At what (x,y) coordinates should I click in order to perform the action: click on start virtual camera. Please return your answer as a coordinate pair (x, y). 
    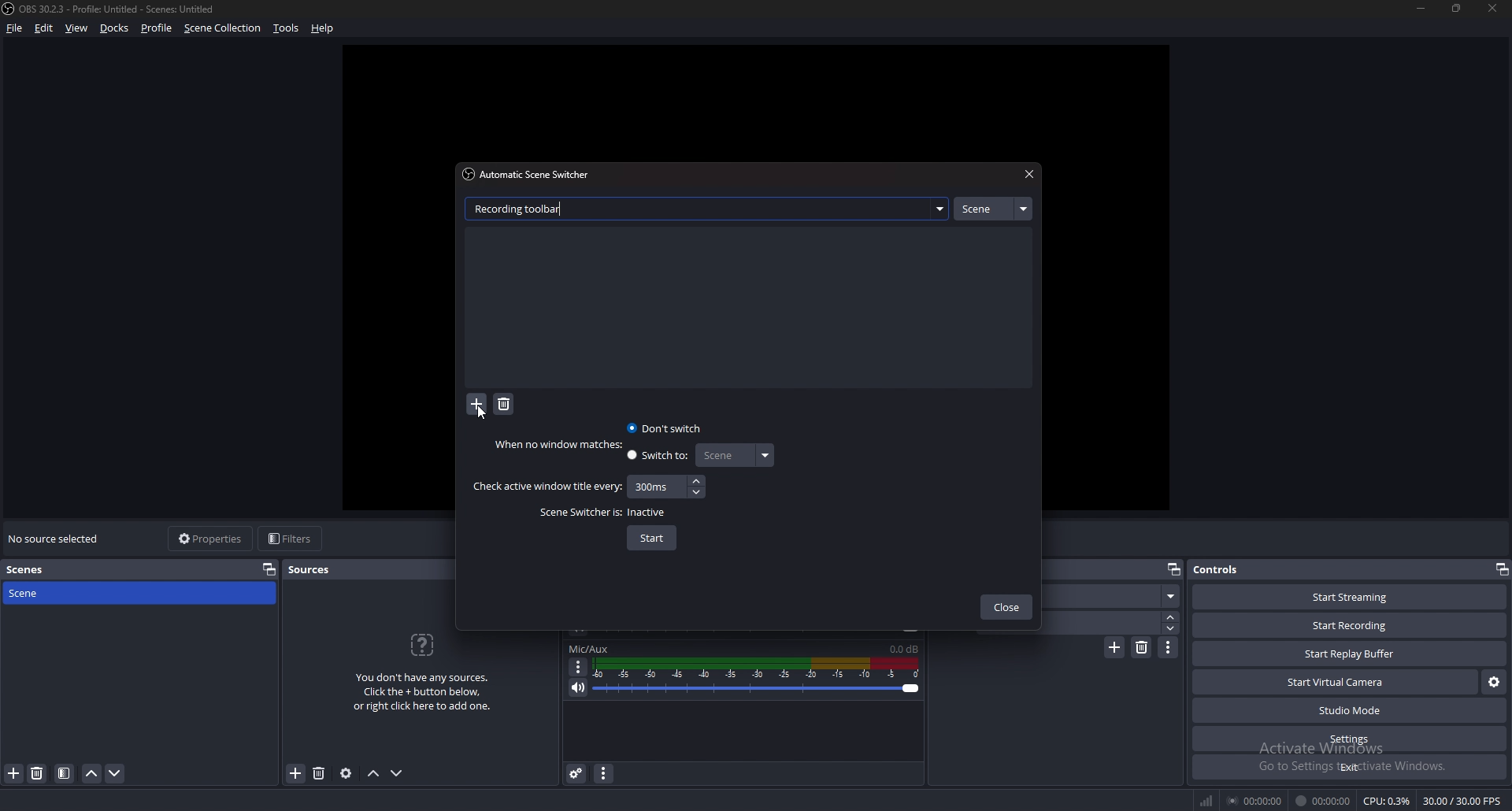
    Looking at the image, I should click on (1337, 682).